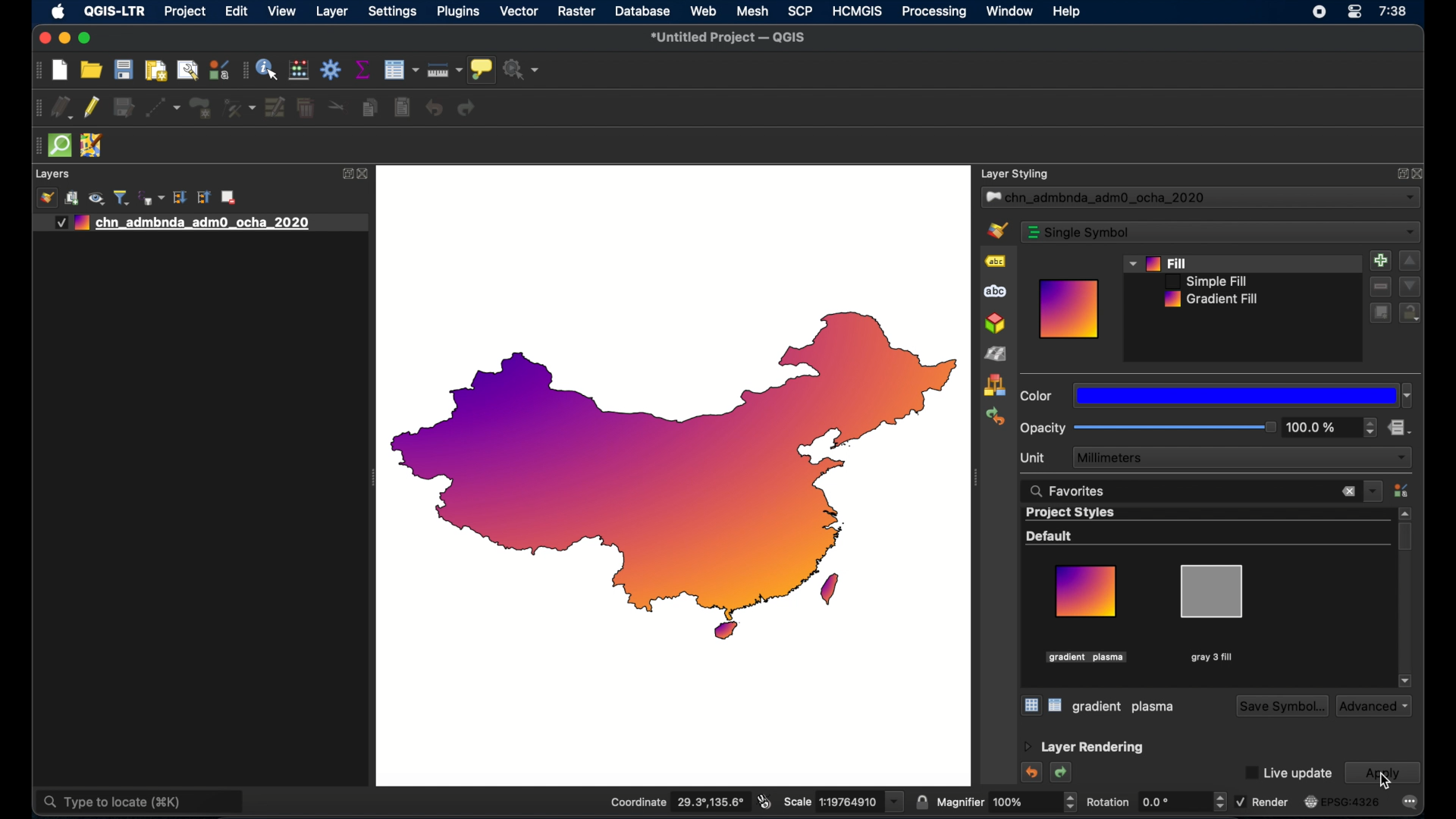  I want to click on current crs, so click(1343, 801).